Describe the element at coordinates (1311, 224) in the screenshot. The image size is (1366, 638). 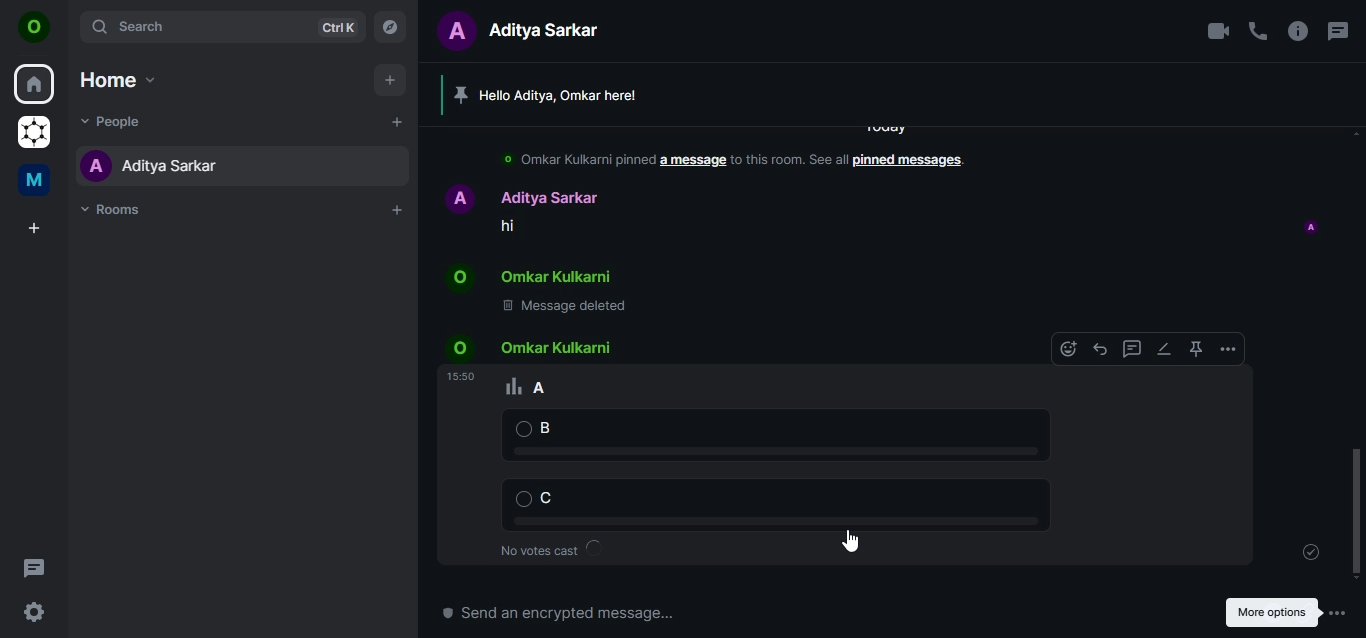
I see `message sent by ` at that location.